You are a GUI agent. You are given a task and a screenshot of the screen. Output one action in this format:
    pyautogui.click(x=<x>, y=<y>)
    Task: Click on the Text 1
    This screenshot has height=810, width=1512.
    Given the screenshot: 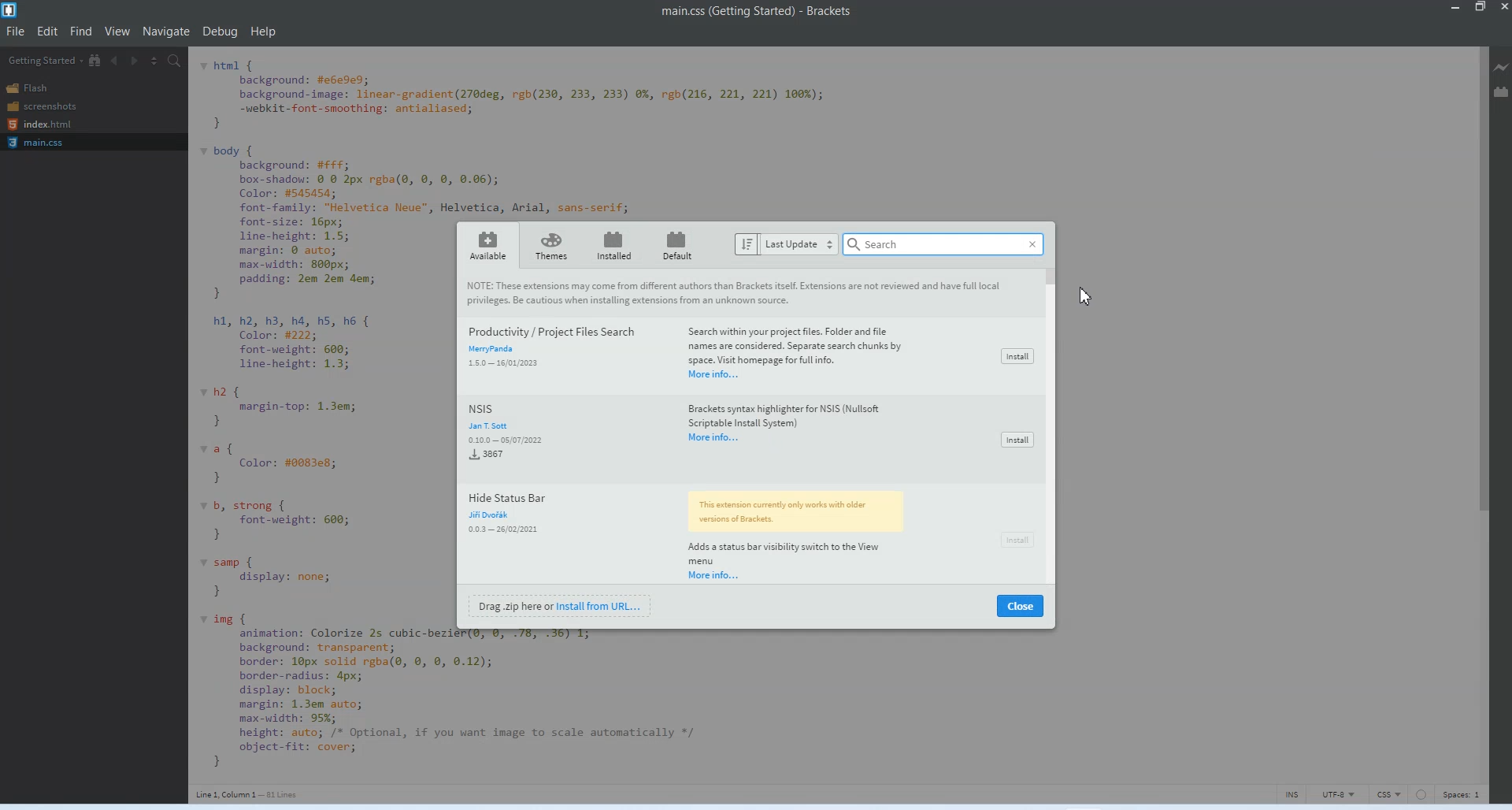 What is the action you would take?
    pyautogui.click(x=751, y=14)
    